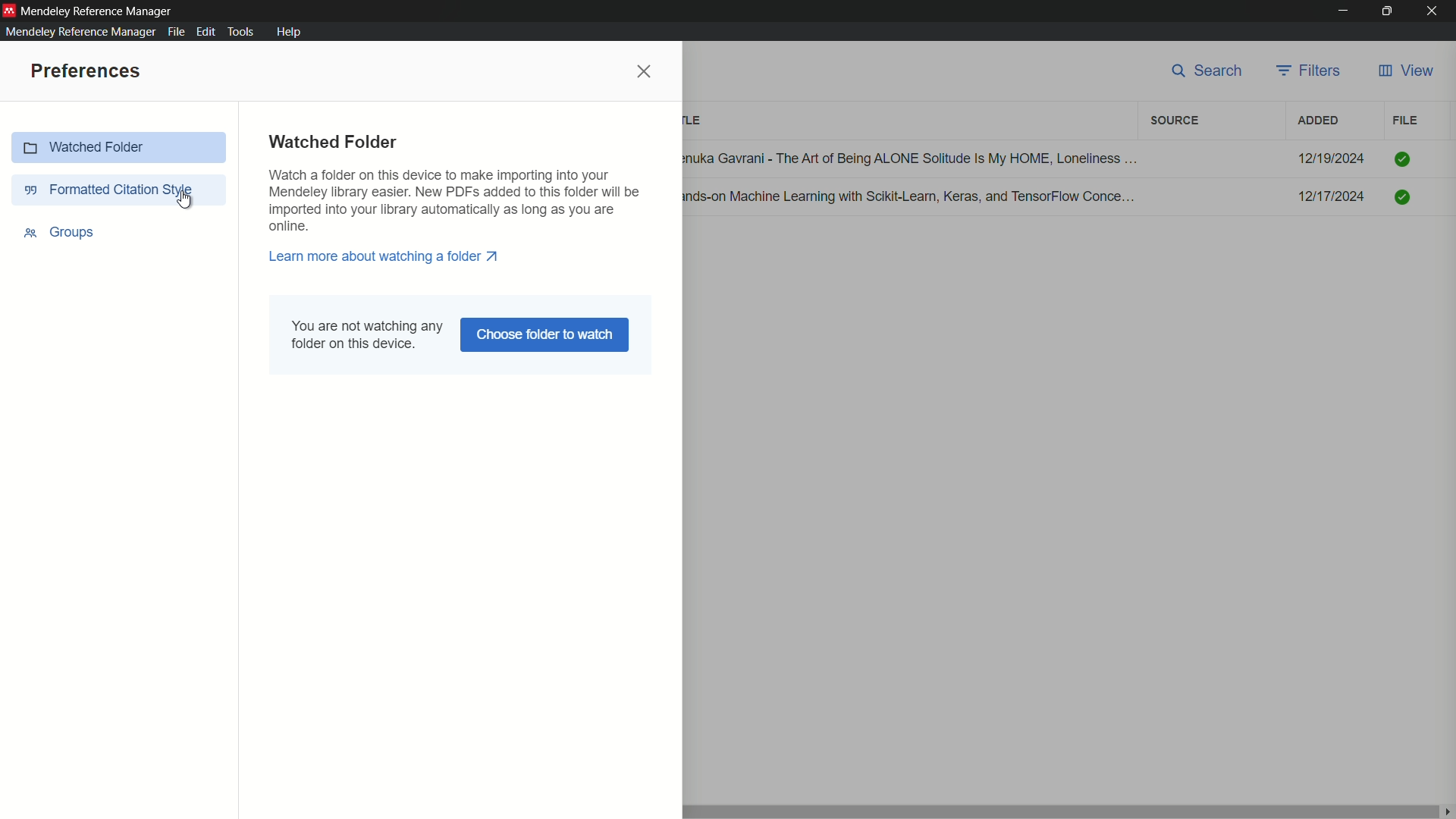 The image size is (1456, 819). Describe the element at coordinates (1405, 121) in the screenshot. I see `file` at that location.